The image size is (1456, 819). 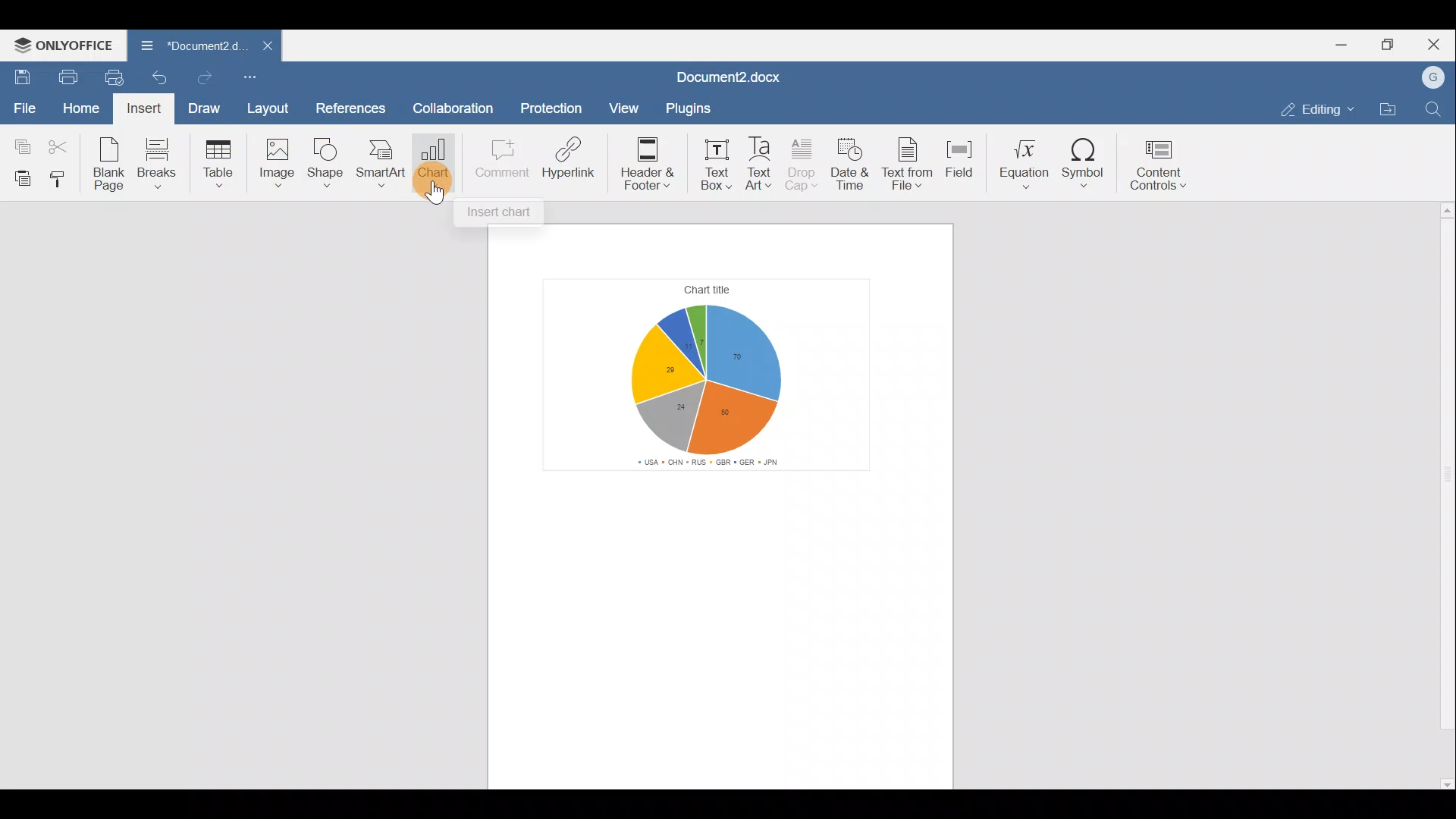 What do you see at coordinates (909, 164) in the screenshot?
I see `Text from file` at bounding box center [909, 164].